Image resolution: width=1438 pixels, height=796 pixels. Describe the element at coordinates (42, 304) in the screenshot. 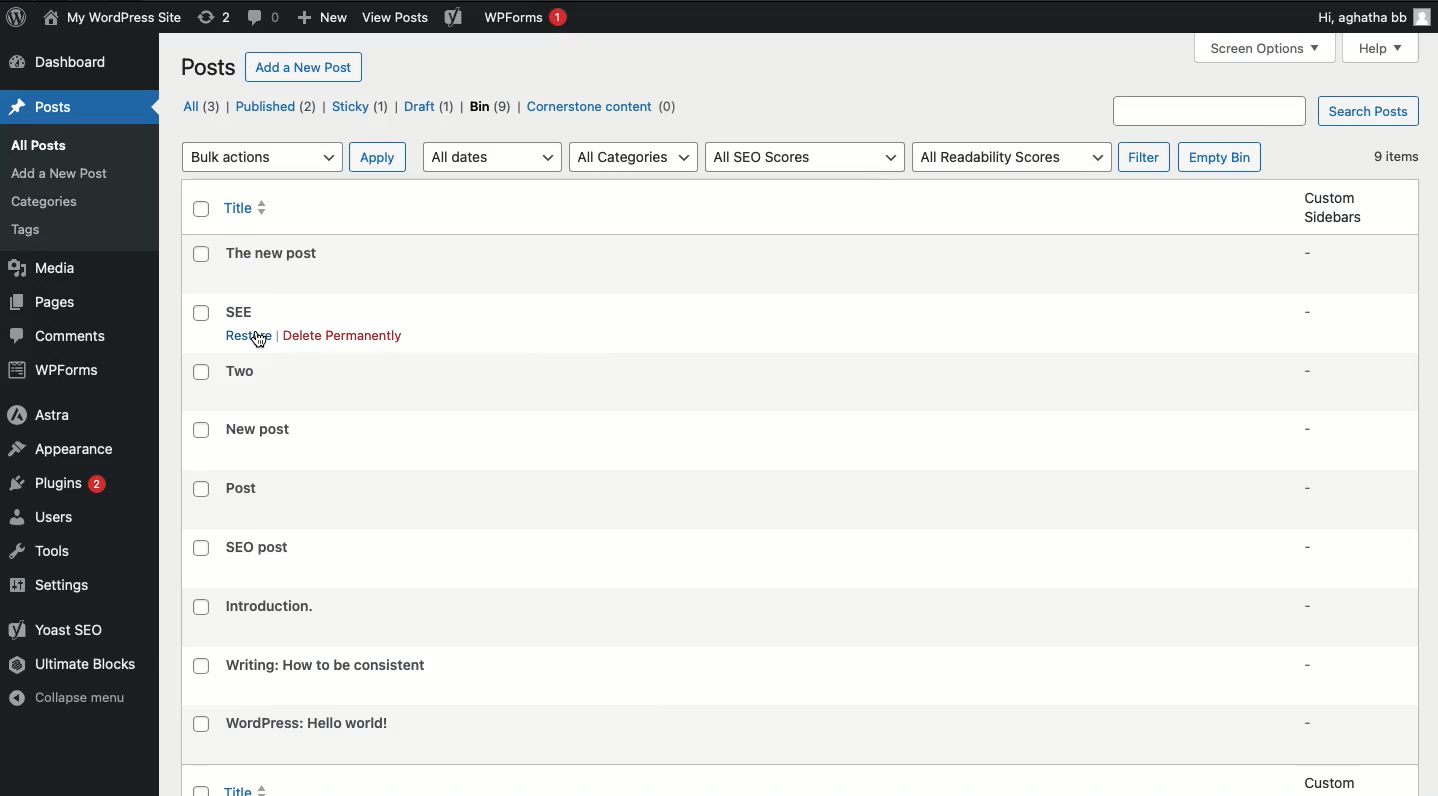

I see `Pages` at that location.